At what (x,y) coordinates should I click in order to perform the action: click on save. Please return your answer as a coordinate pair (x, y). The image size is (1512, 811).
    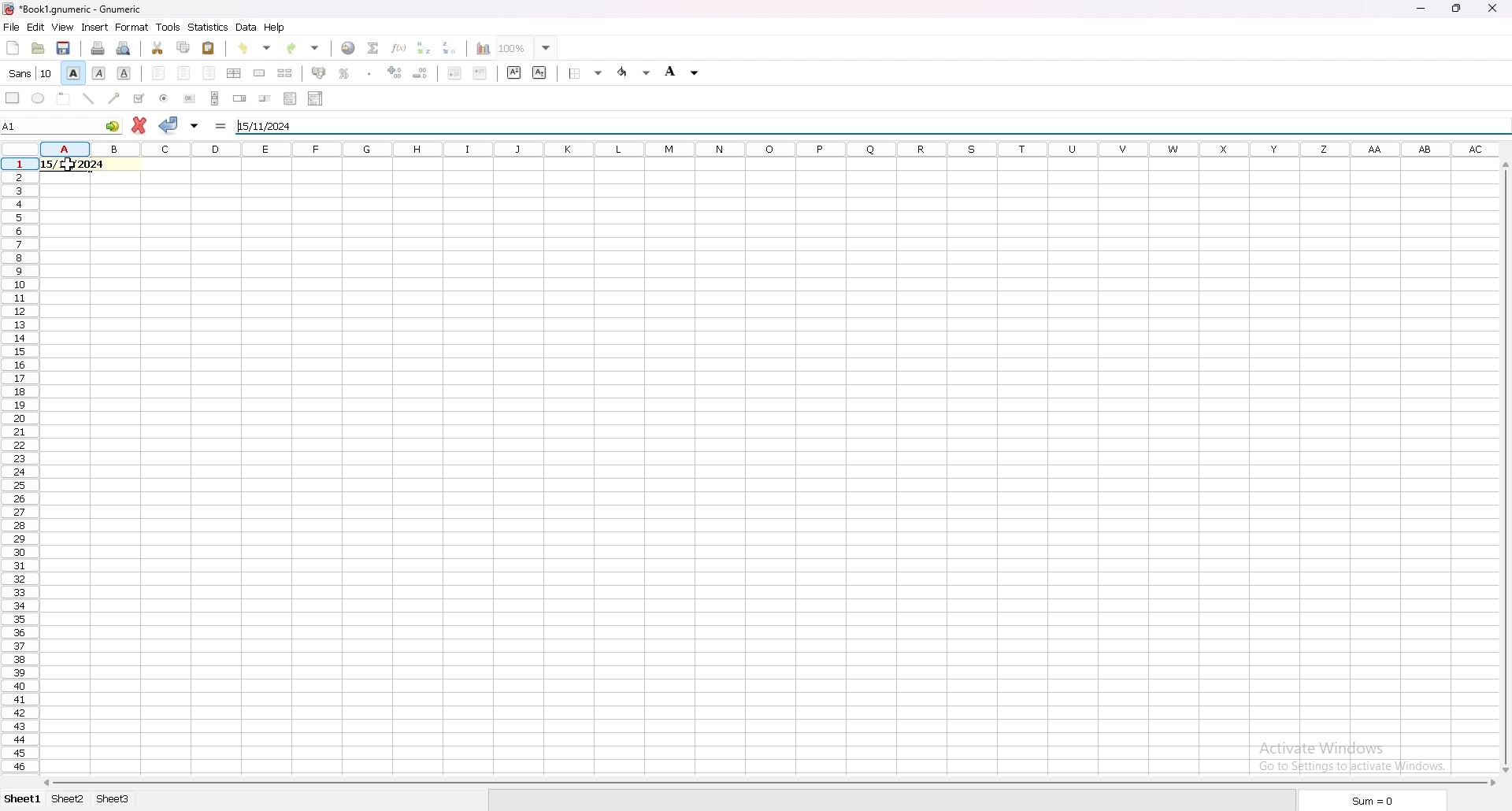
    Looking at the image, I should click on (65, 48).